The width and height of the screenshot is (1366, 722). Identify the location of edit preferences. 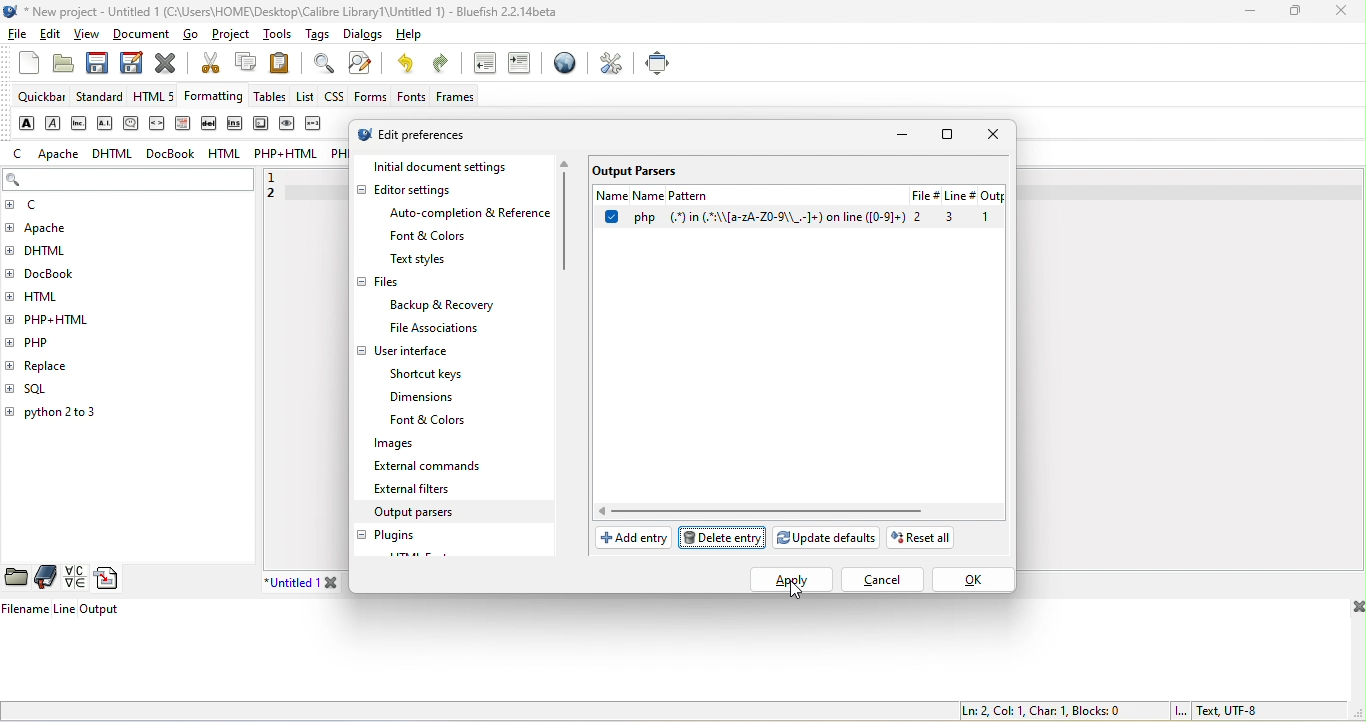
(431, 135).